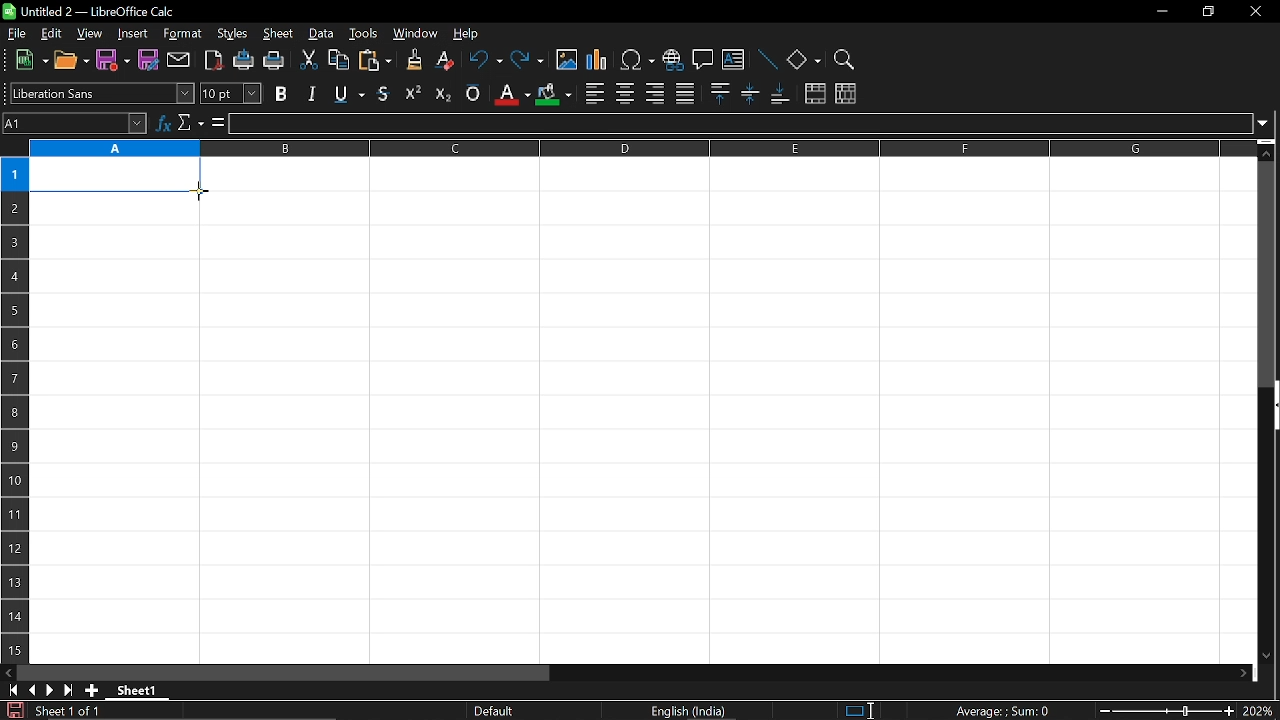 This screenshot has height=720, width=1280. What do you see at coordinates (284, 673) in the screenshot?
I see `horizontal scrollbar` at bounding box center [284, 673].